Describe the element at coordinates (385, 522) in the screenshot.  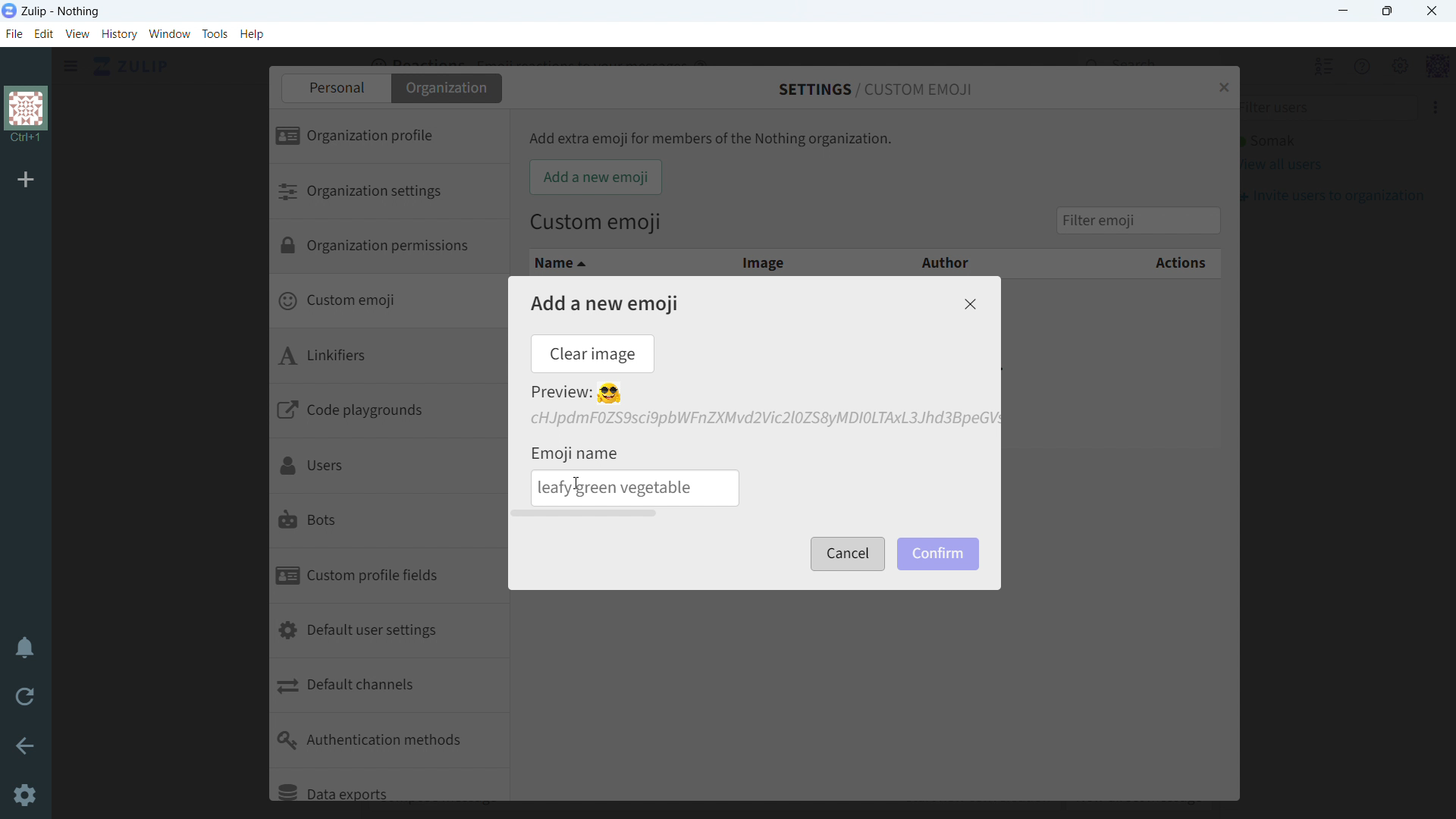
I see `bots` at that location.